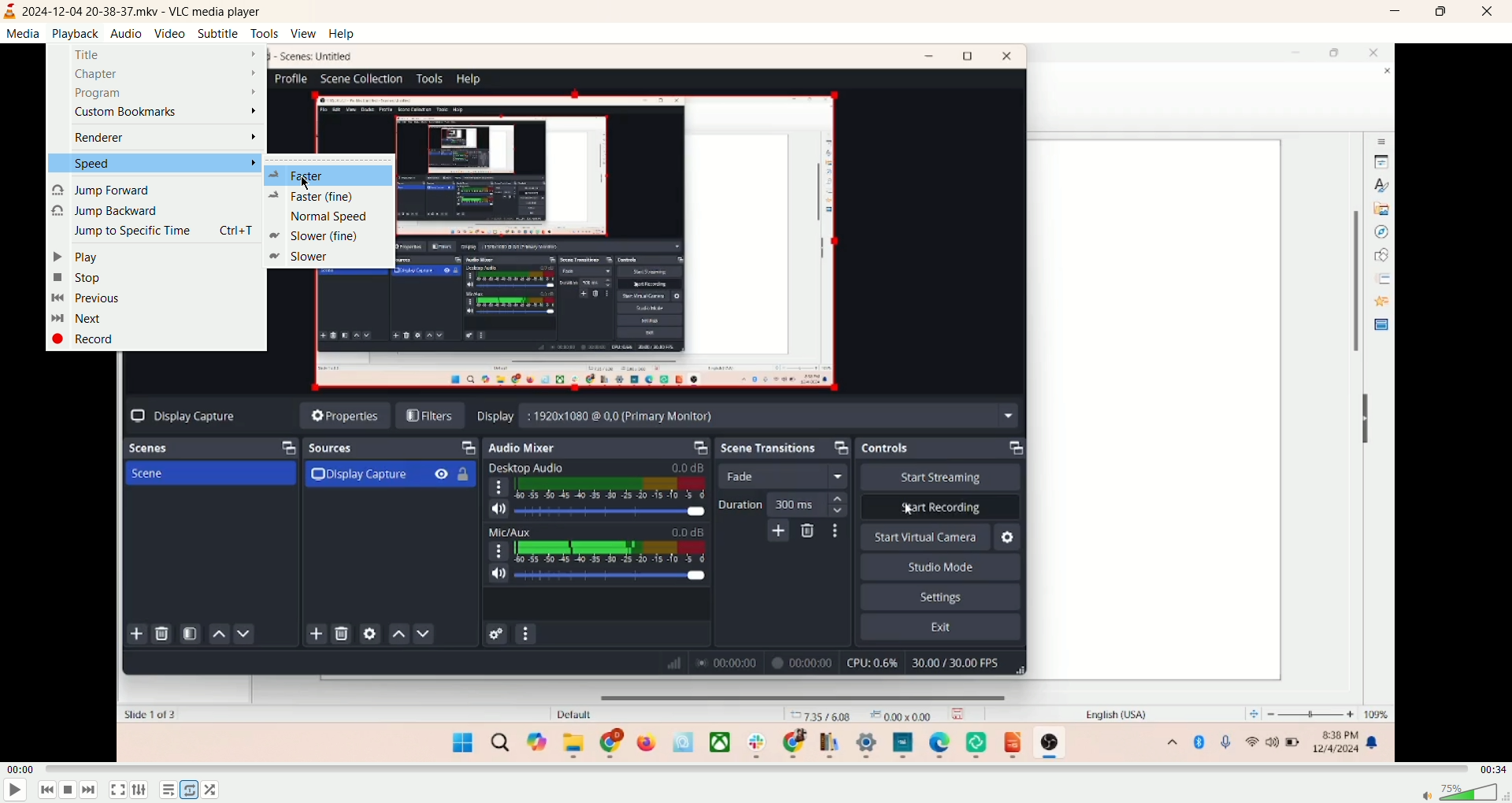  I want to click on subtitle, so click(216, 32).